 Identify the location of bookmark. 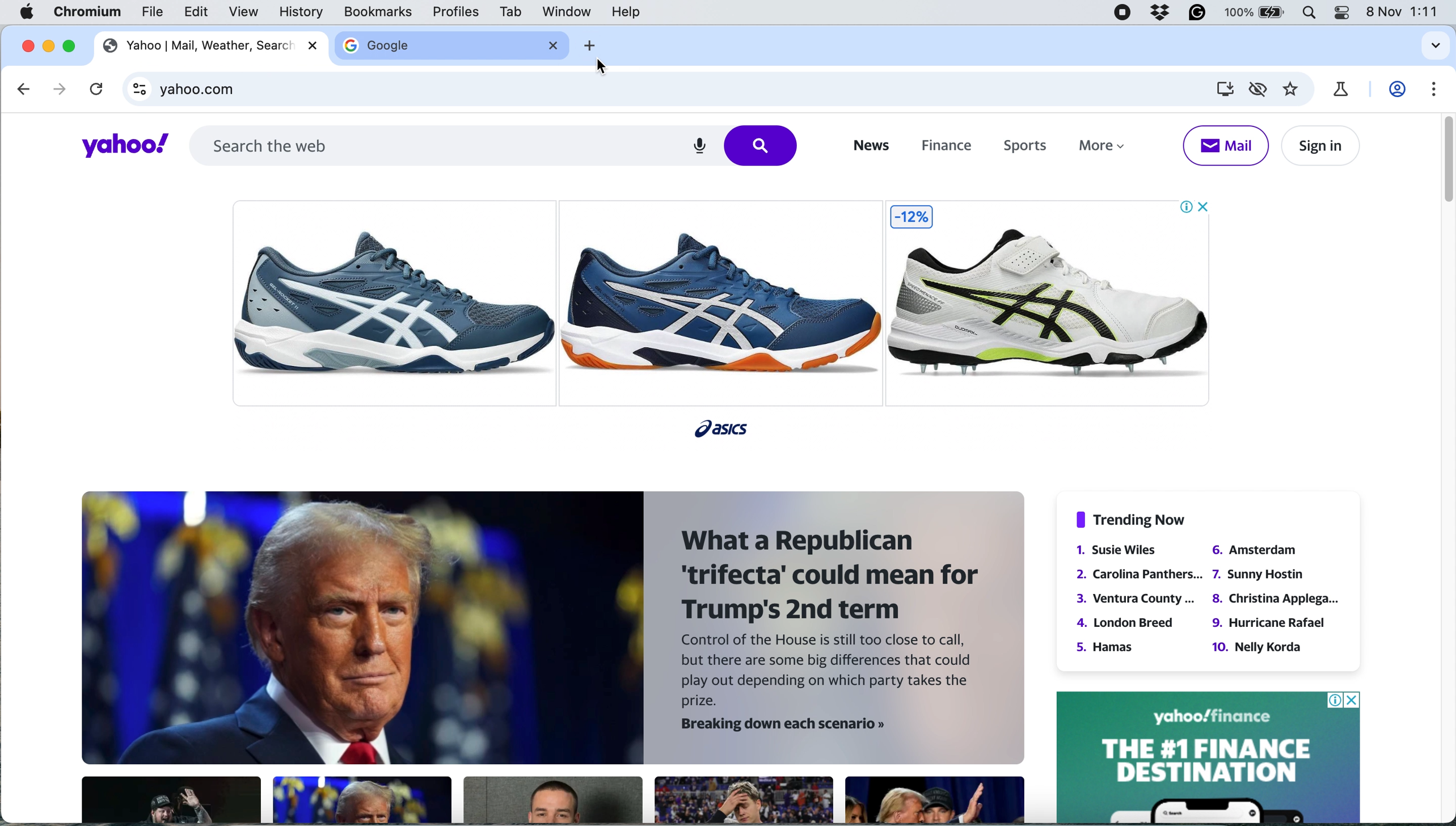
(1292, 90).